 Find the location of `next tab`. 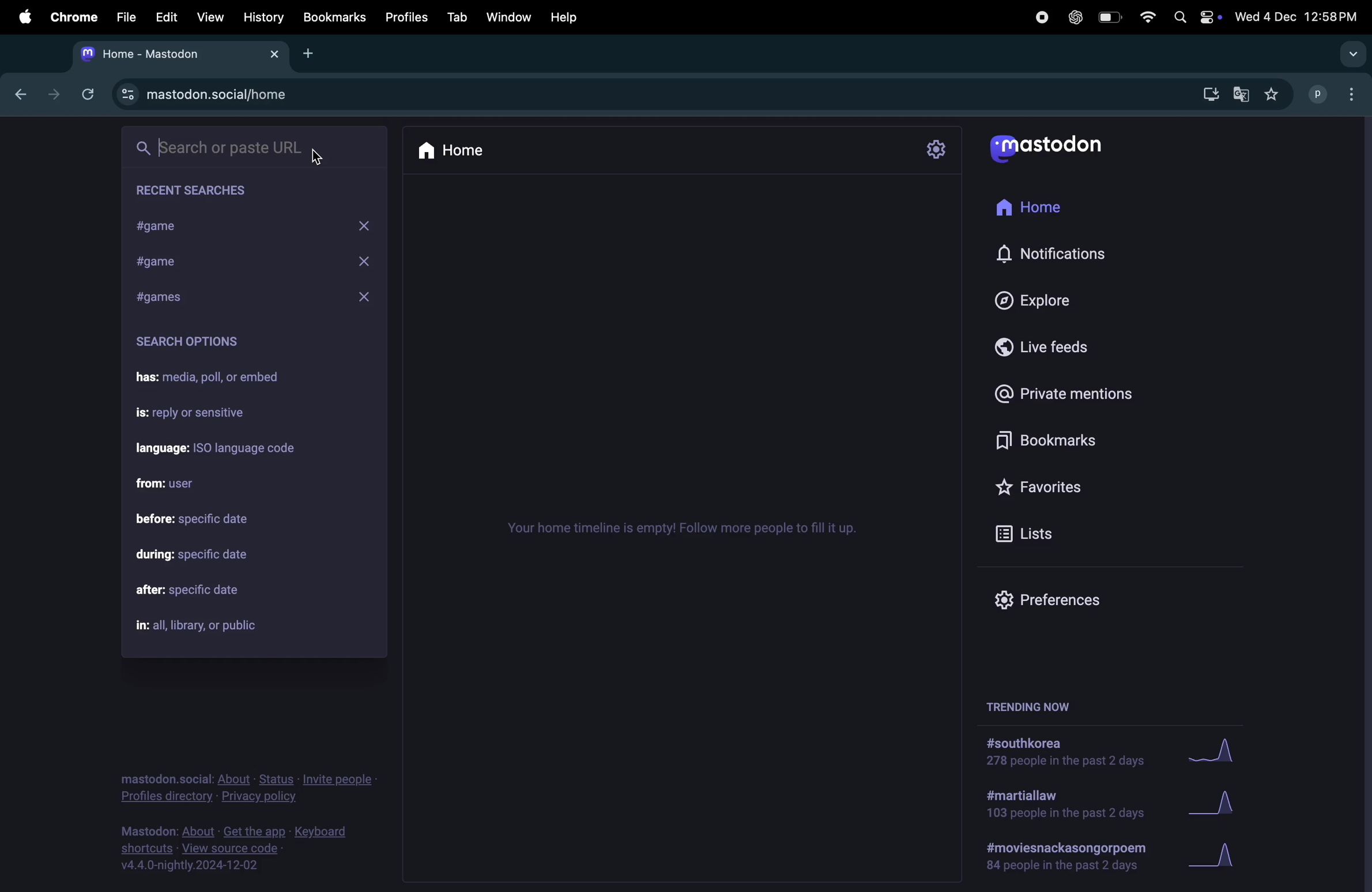

next tab is located at coordinates (54, 92).